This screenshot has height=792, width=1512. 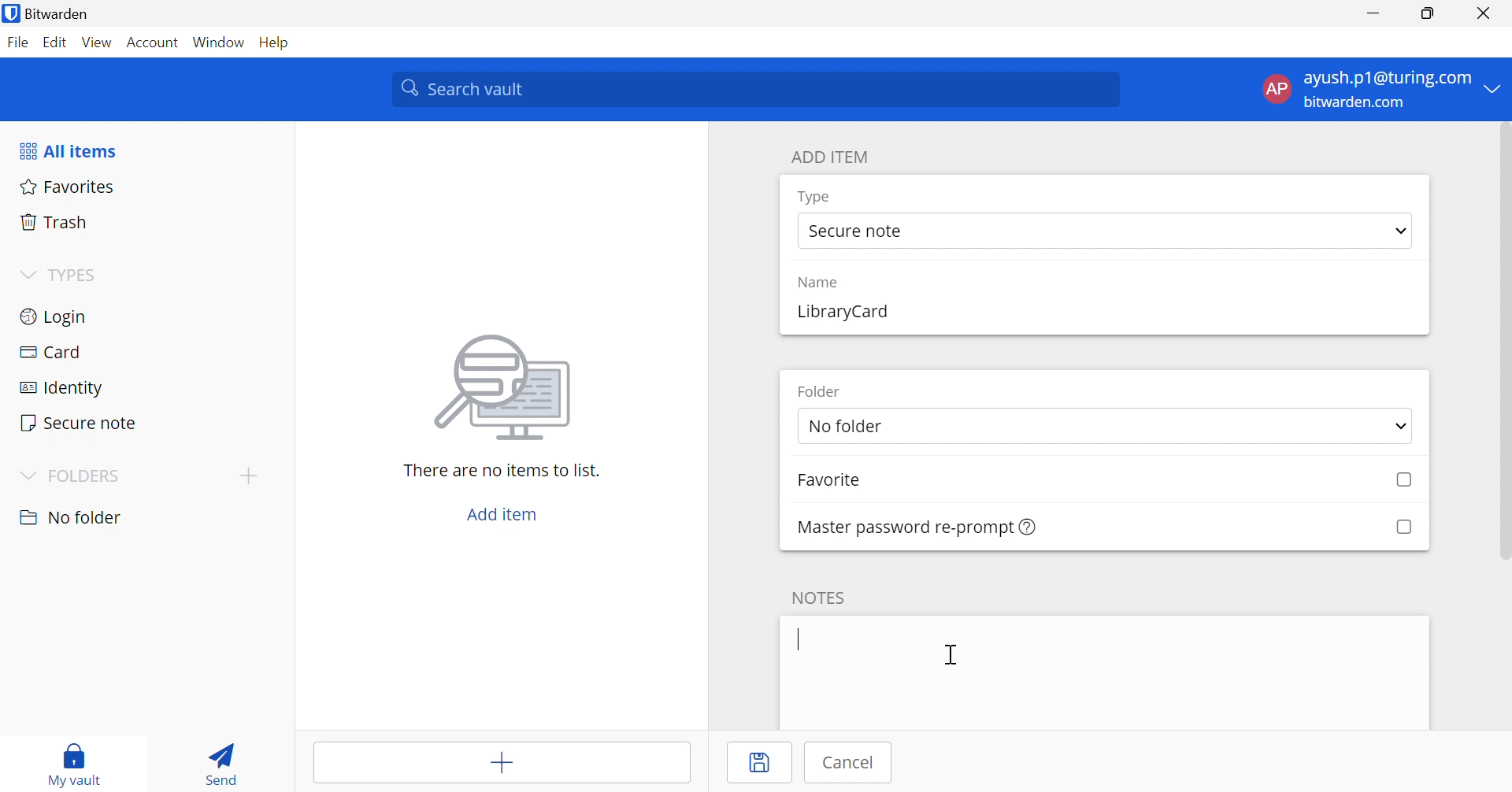 I want to click on Cancel, so click(x=843, y=764).